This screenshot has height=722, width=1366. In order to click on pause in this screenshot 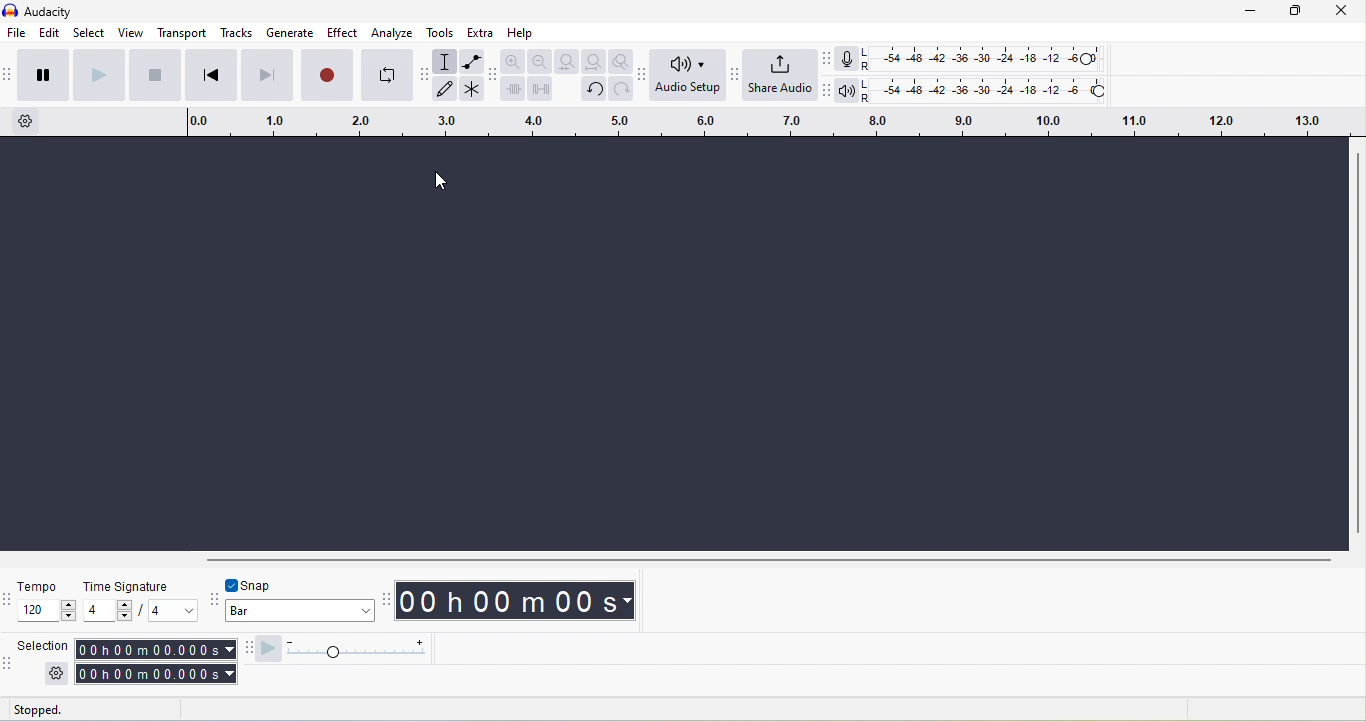, I will do `click(45, 75)`.